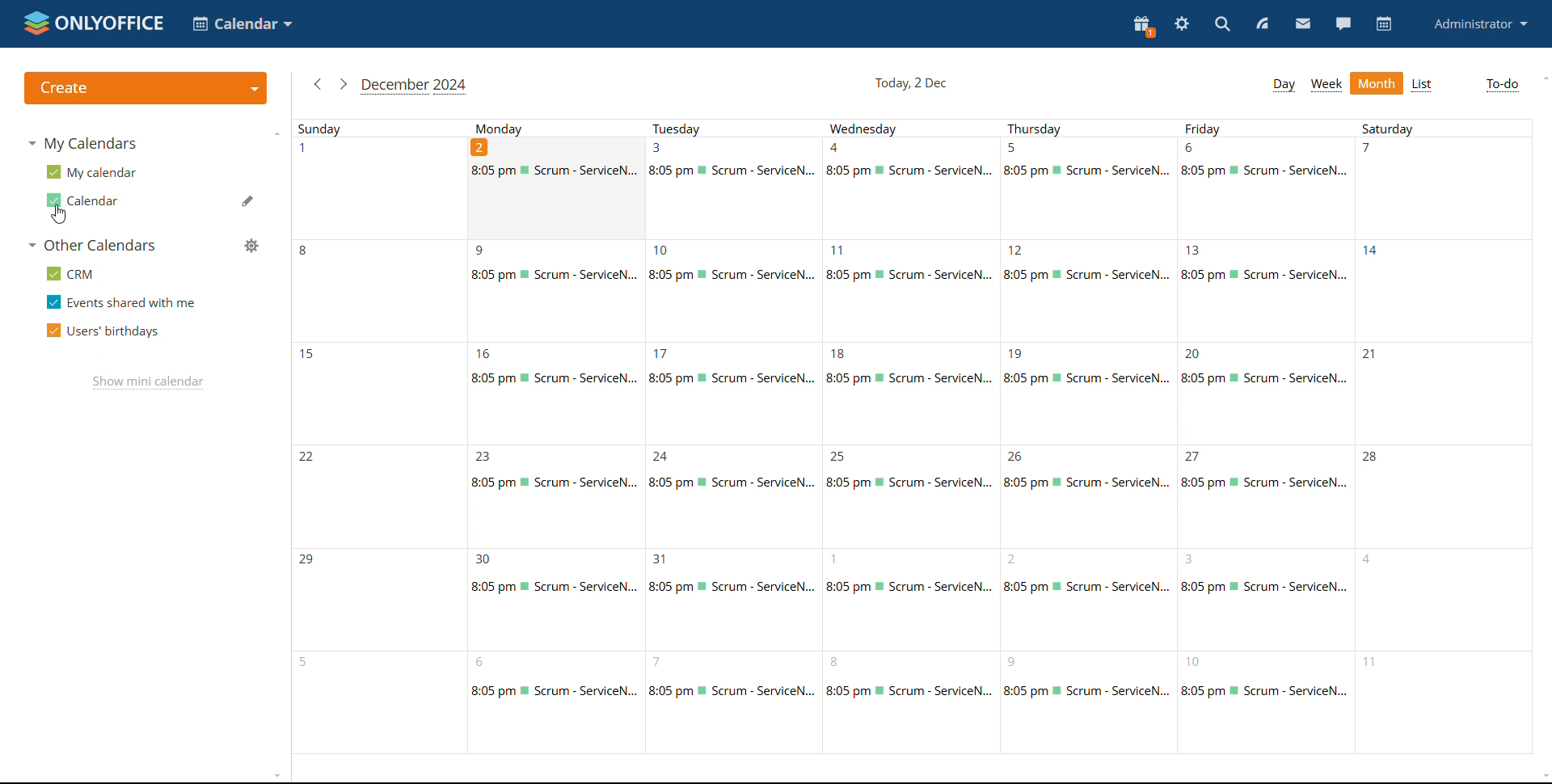 Image resolution: width=1552 pixels, height=784 pixels. What do you see at coordinates (1090, 130) in the screenshot?
I see `thursday` at bounding box center [1090, 130].